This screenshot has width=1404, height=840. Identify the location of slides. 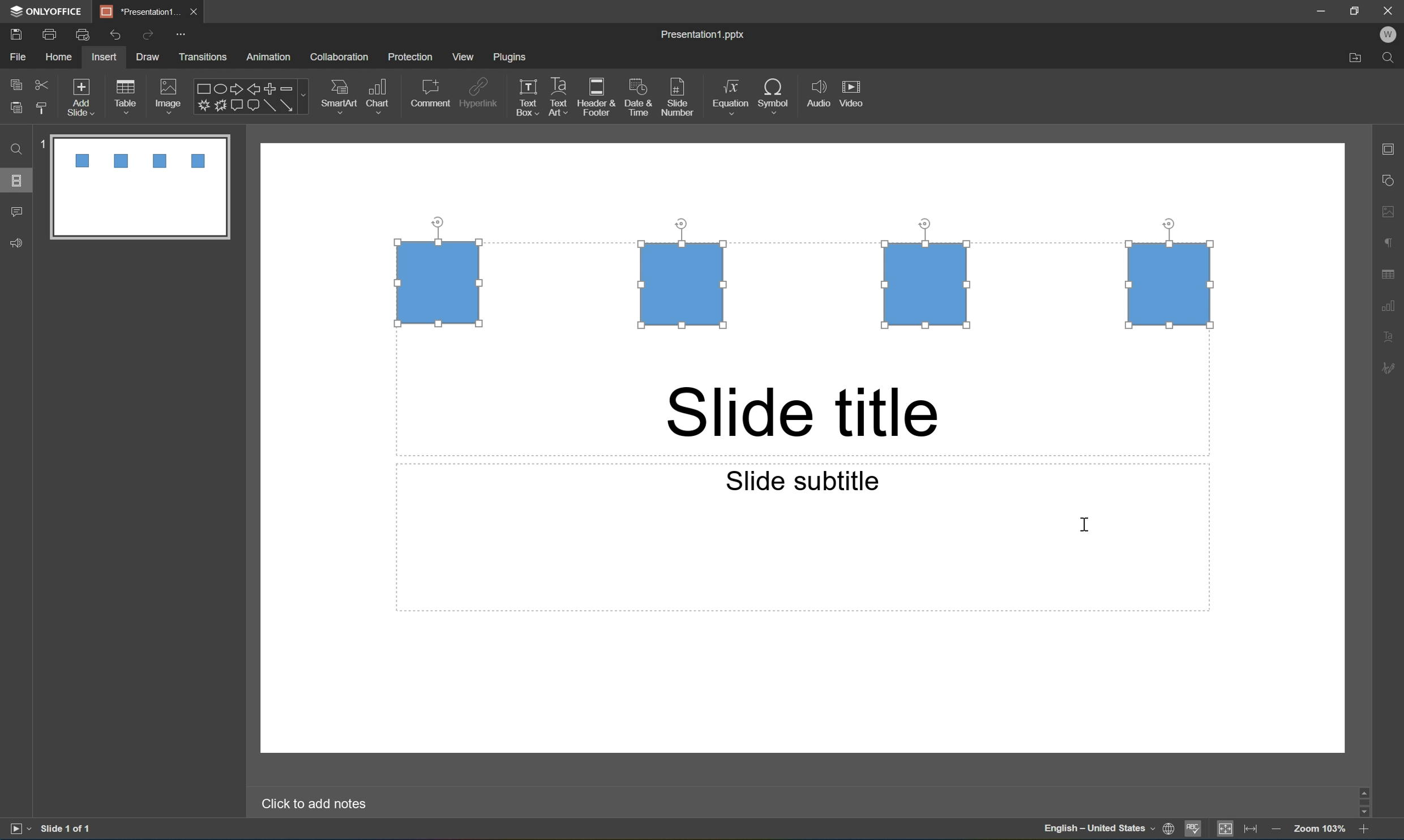
(19, 181).